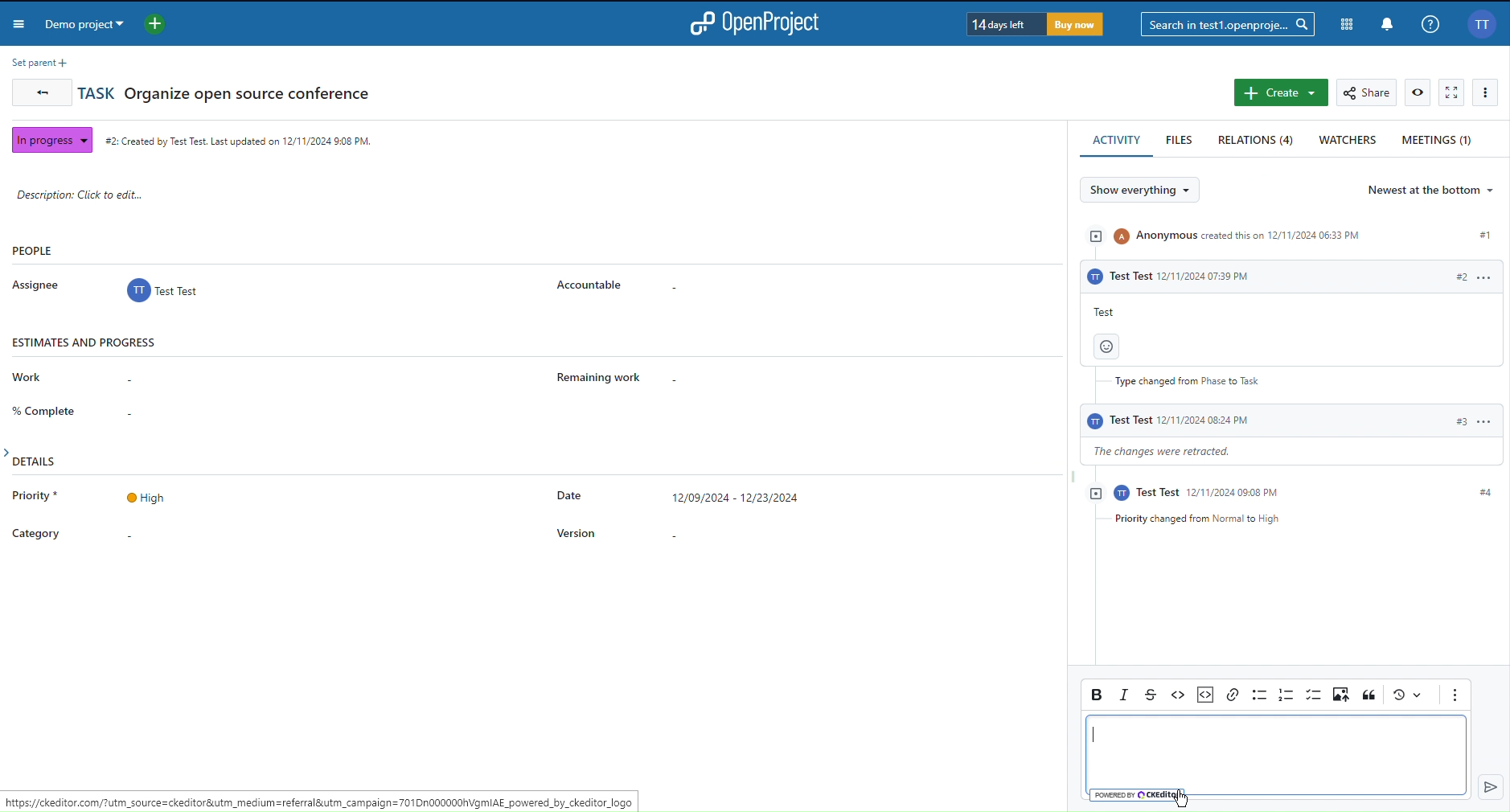 This screenshot has height=812, width=1510. I want to click on Number List, so click(1286, 695).